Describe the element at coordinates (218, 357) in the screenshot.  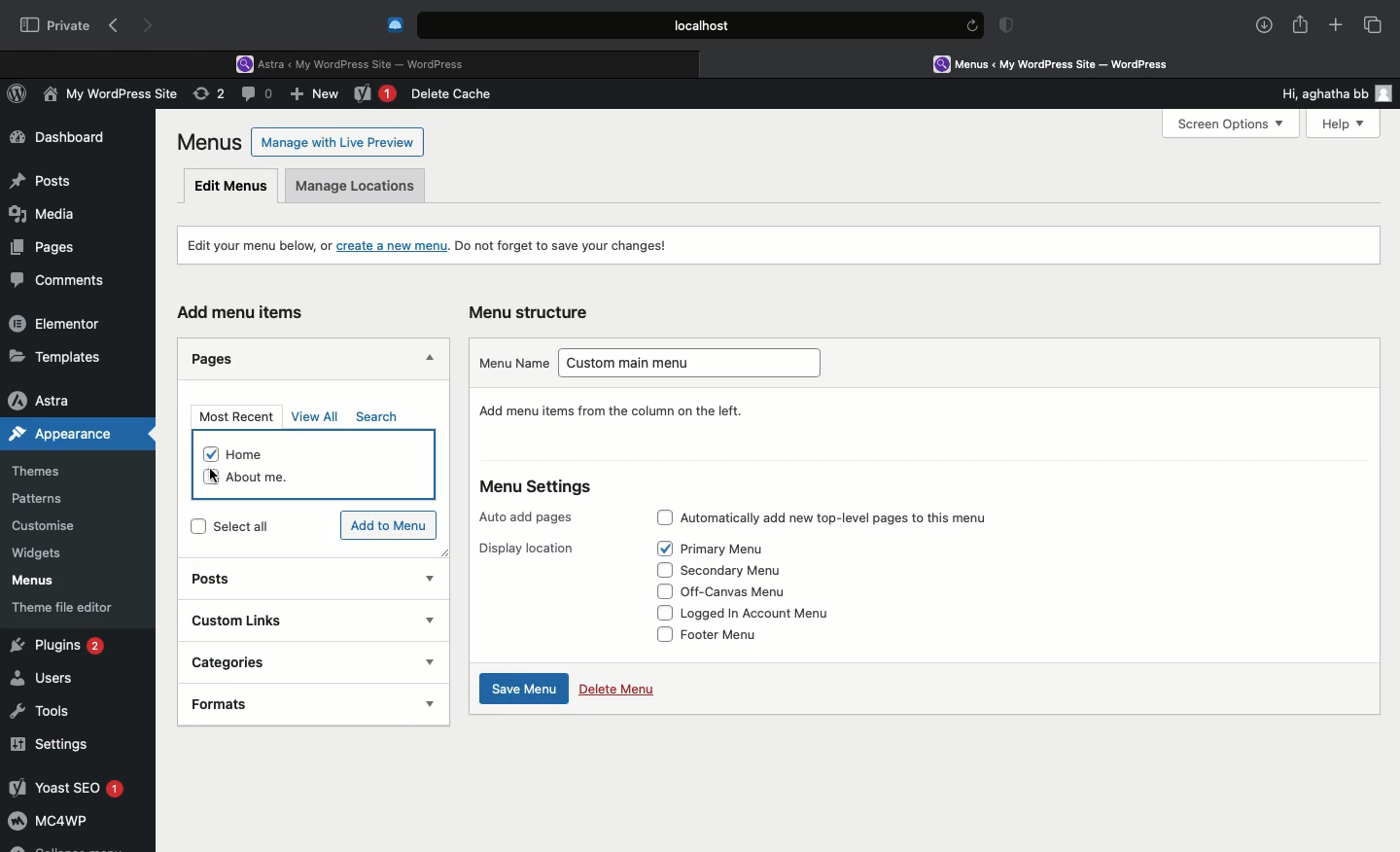
I see `Pages` at that location.